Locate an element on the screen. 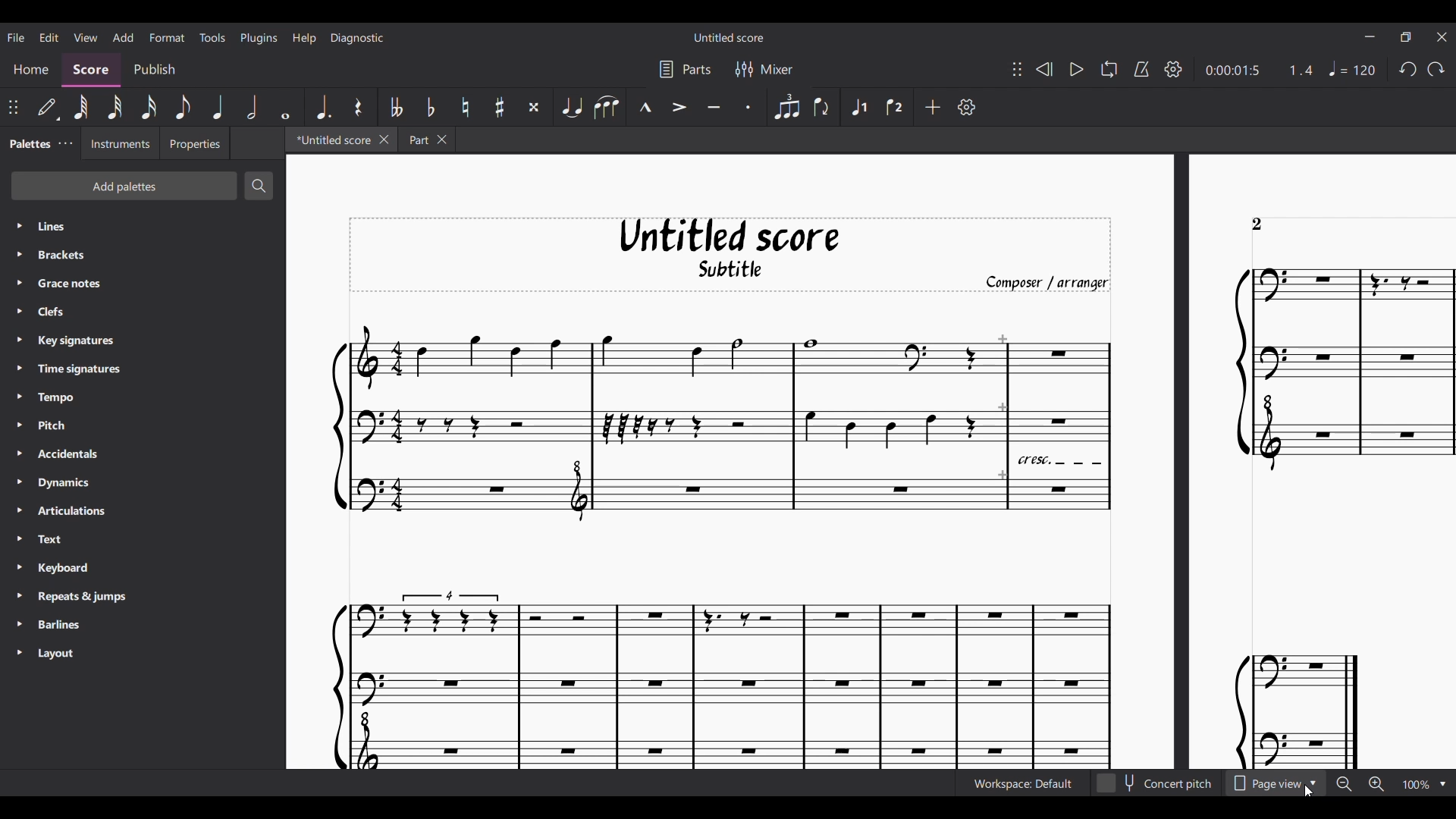 The width and height of the screenshot is (1456, 819). Undo is located at coordinates (1408, 70).